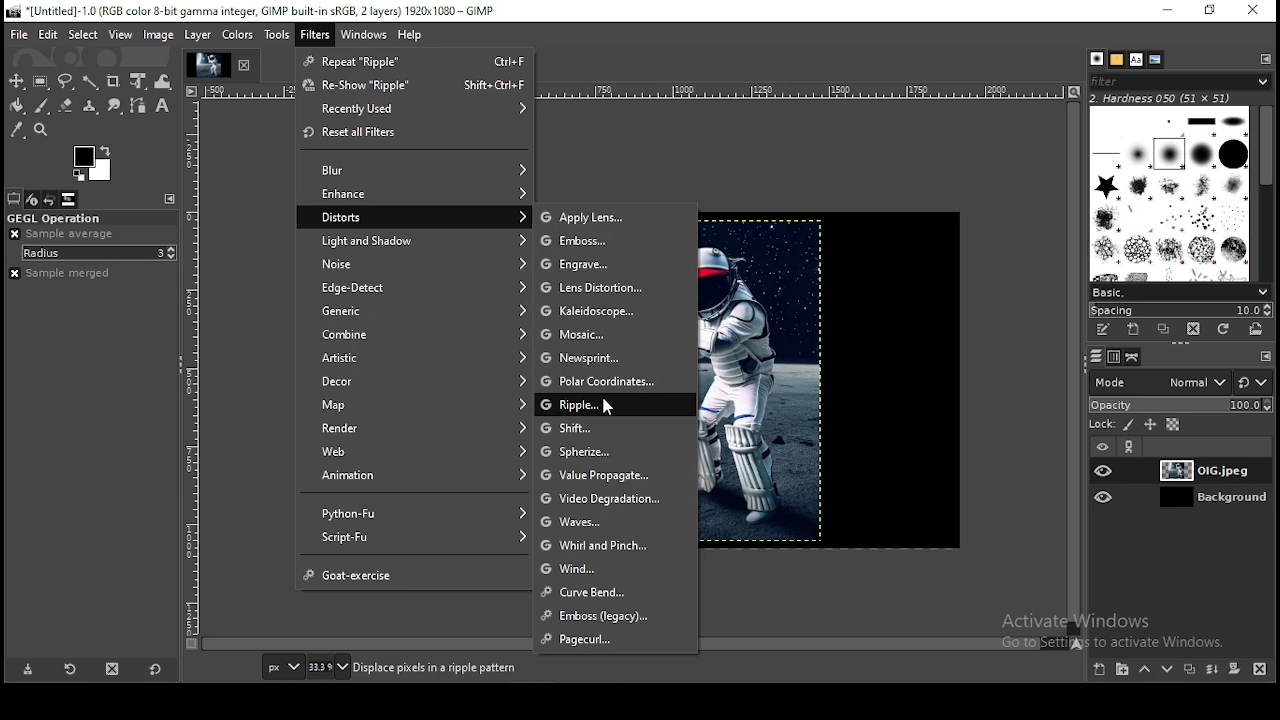 This screenshot has width=1280, height=720. I want to click on move layer down, so click(1168, 672).